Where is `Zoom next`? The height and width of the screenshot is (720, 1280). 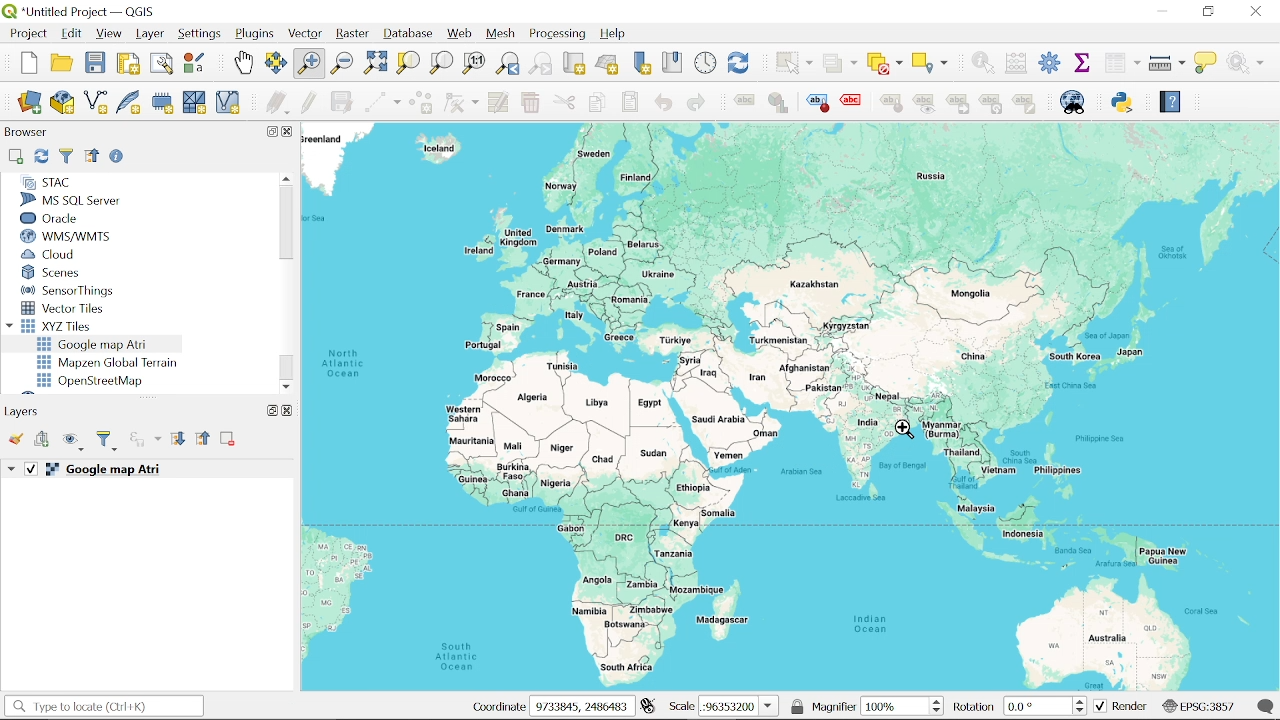 Zoom next is located at coordinates (541, 64).